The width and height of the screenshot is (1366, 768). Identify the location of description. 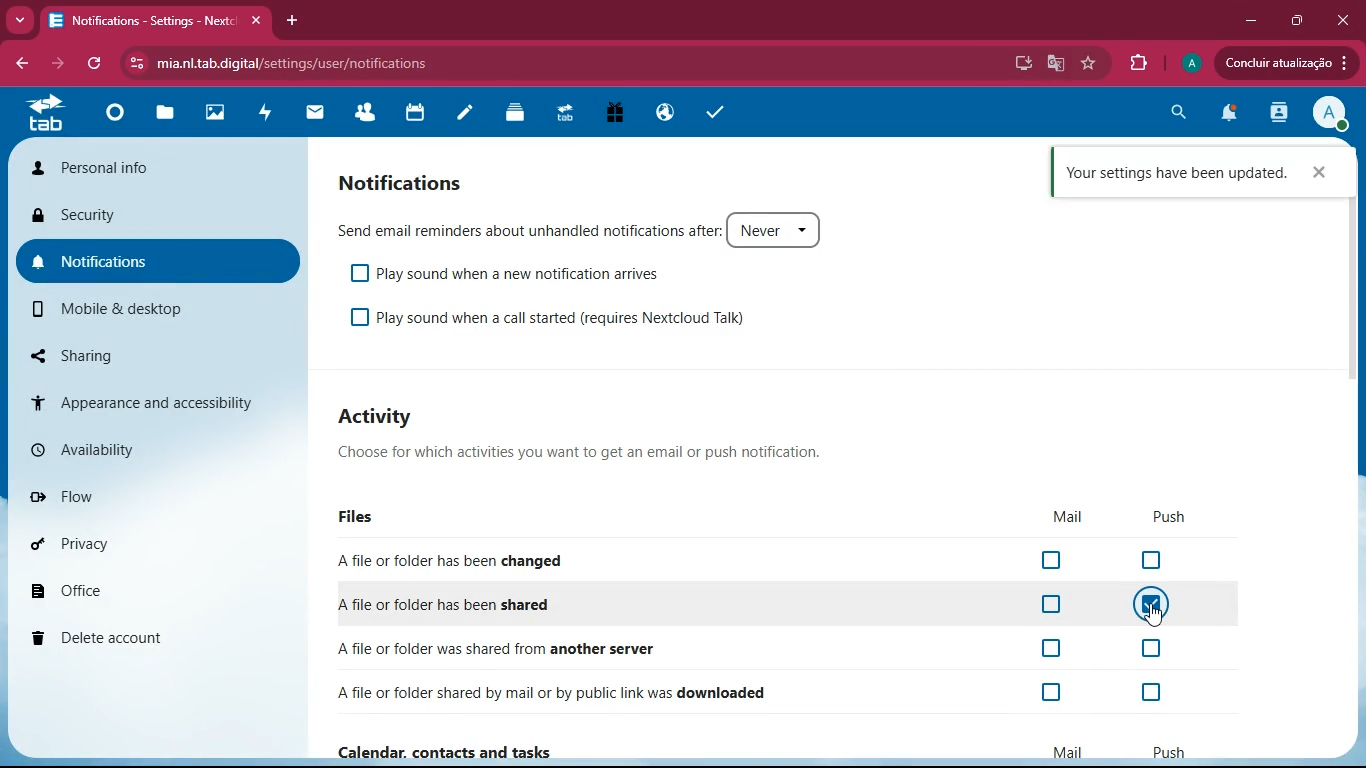
(586, 451).